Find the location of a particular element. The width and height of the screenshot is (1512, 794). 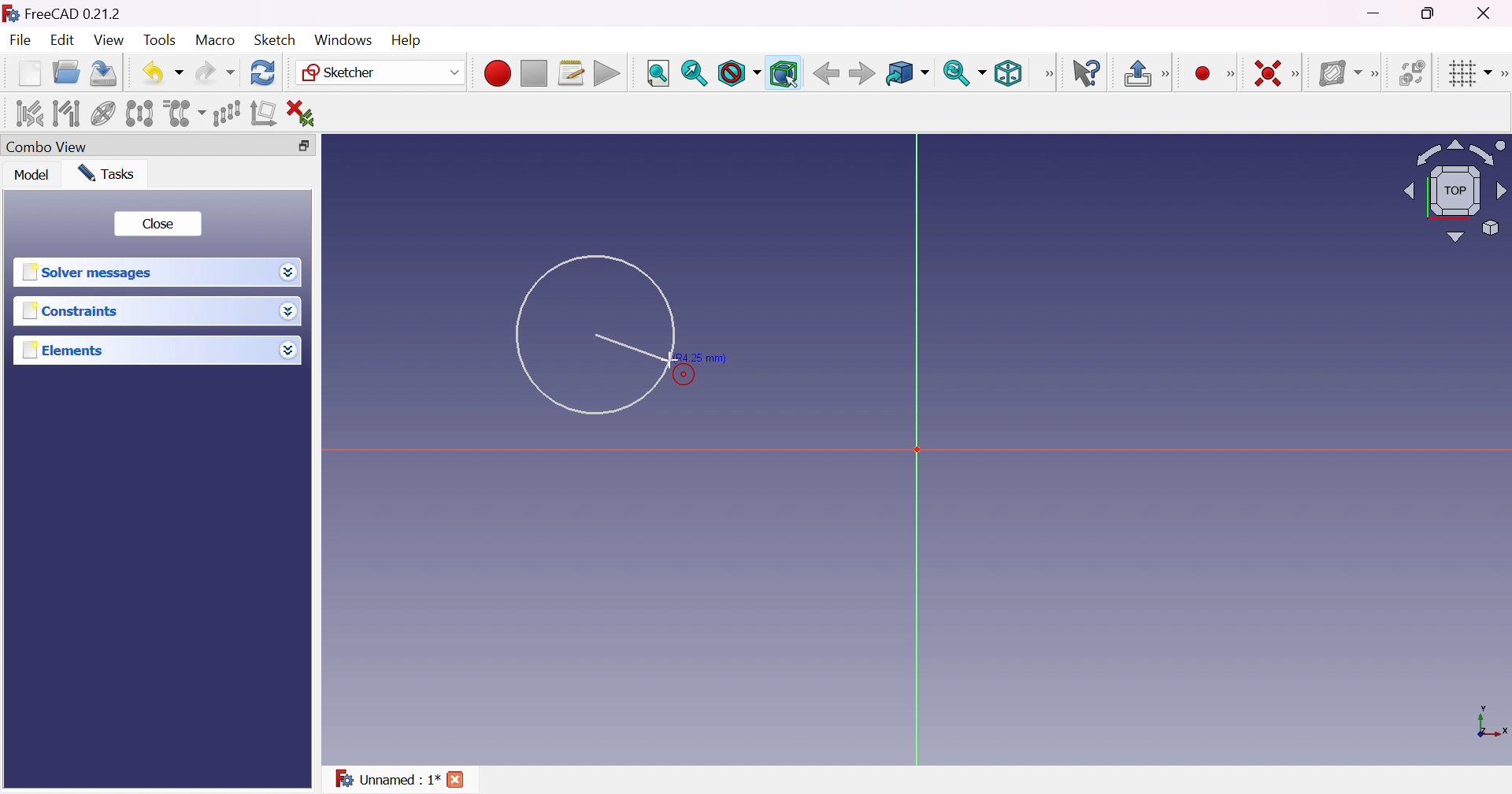

Elements is located at coordinates (65, 350).